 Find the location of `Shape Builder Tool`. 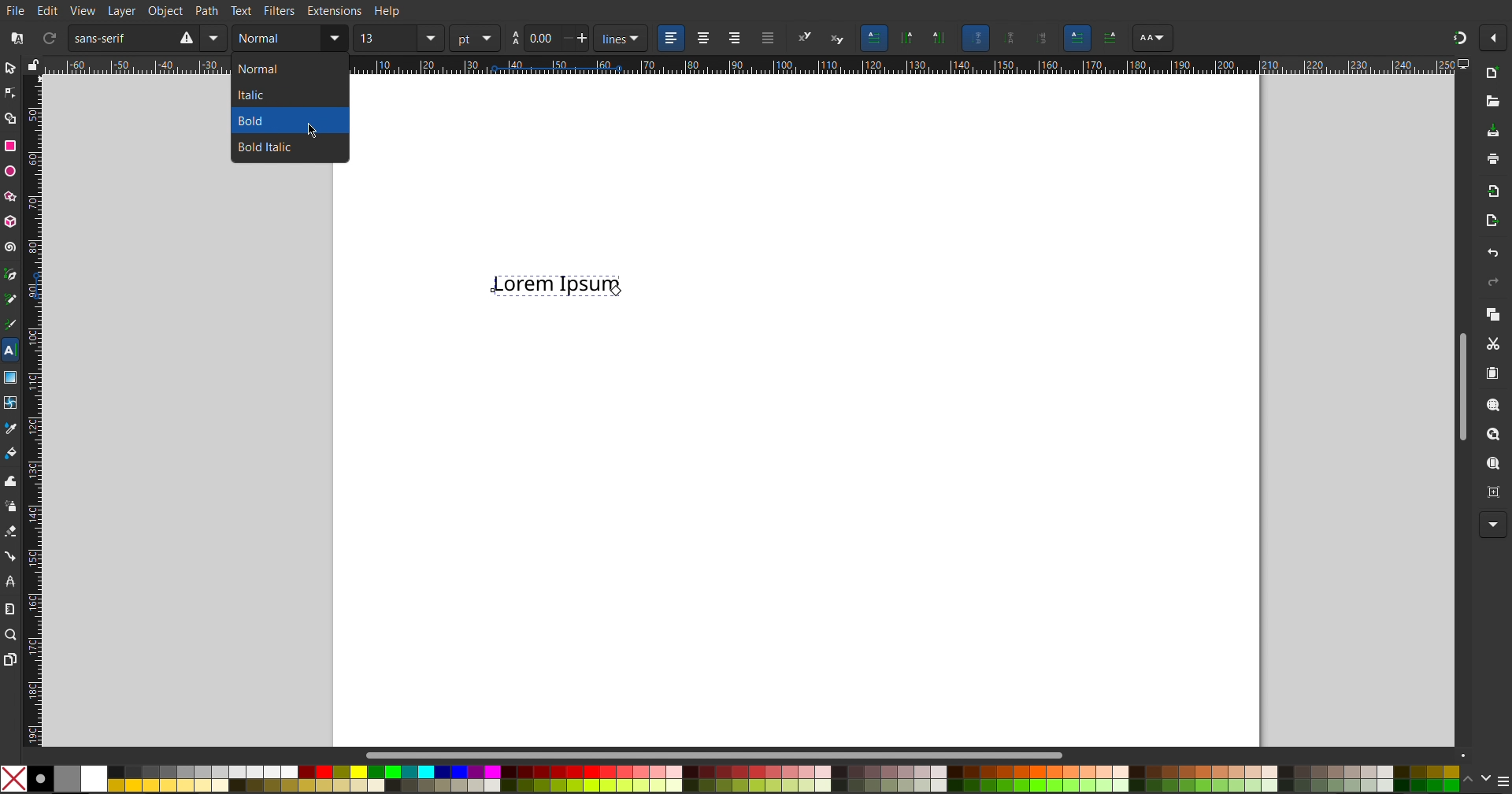

Shape Builder Tool is located at coordinates (13, 118).